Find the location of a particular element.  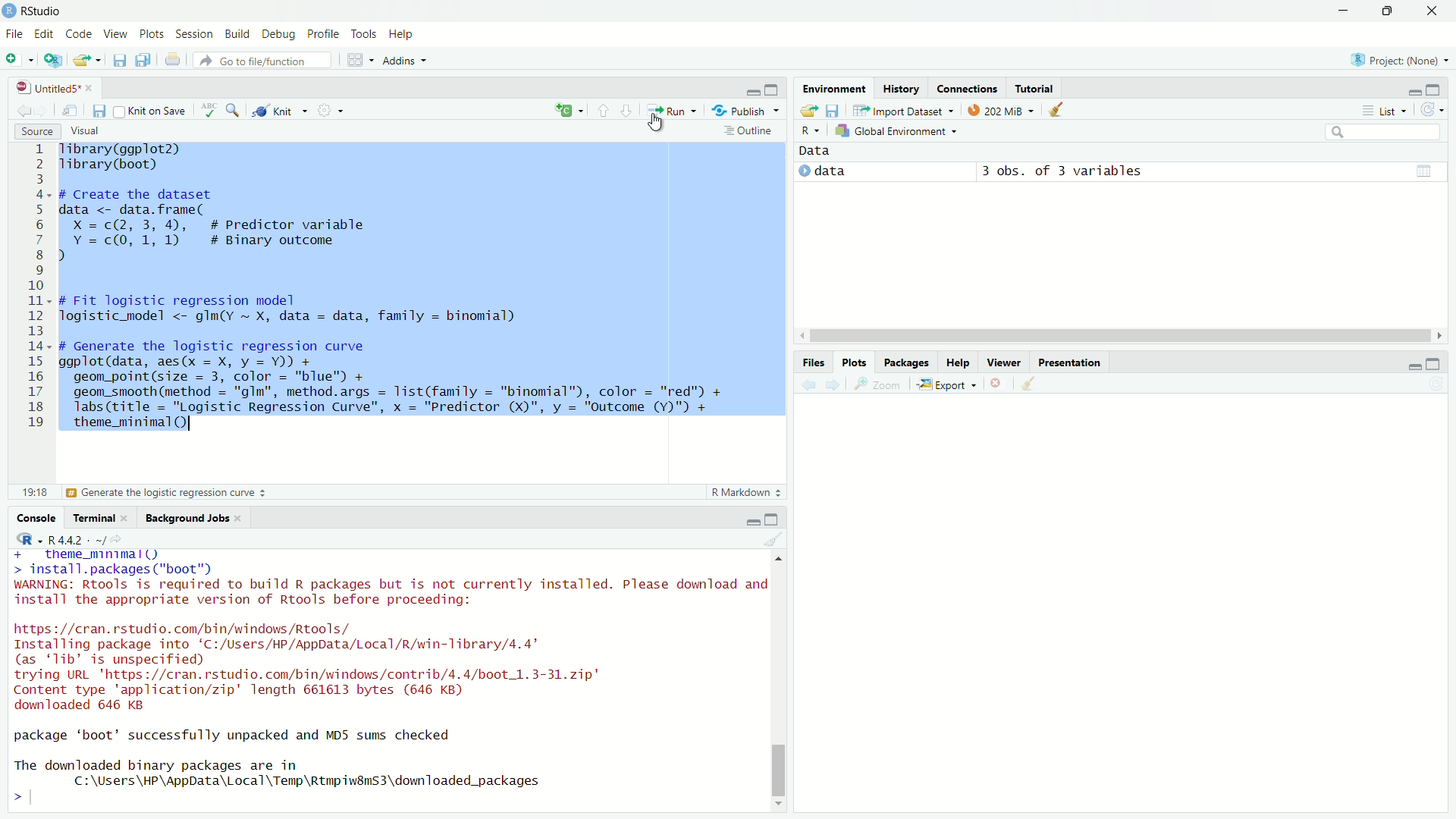

Help is located at coordinates (956, 362).